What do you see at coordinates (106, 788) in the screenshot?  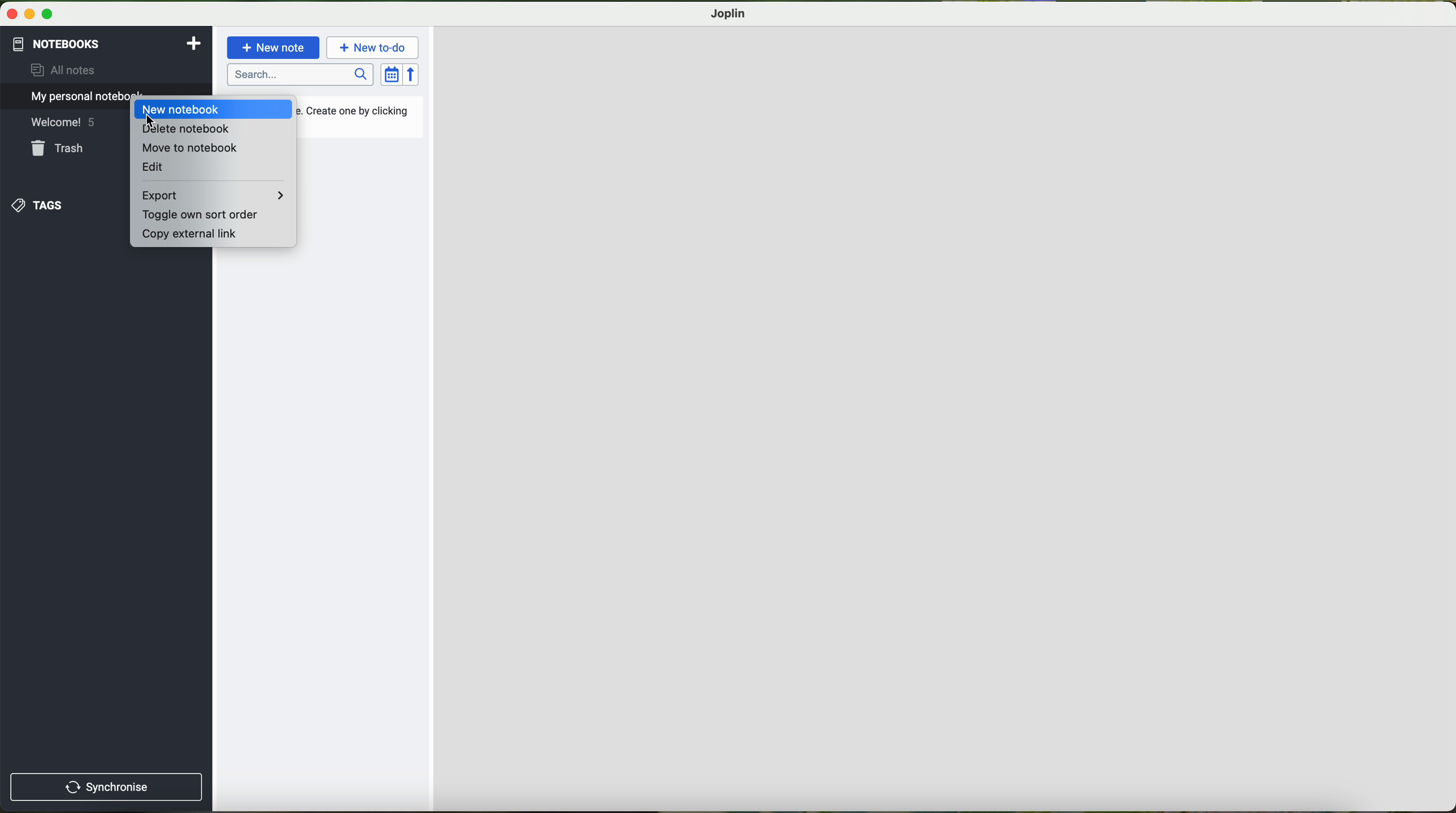 I see `synchronise button` at bounding box center [106, 788].